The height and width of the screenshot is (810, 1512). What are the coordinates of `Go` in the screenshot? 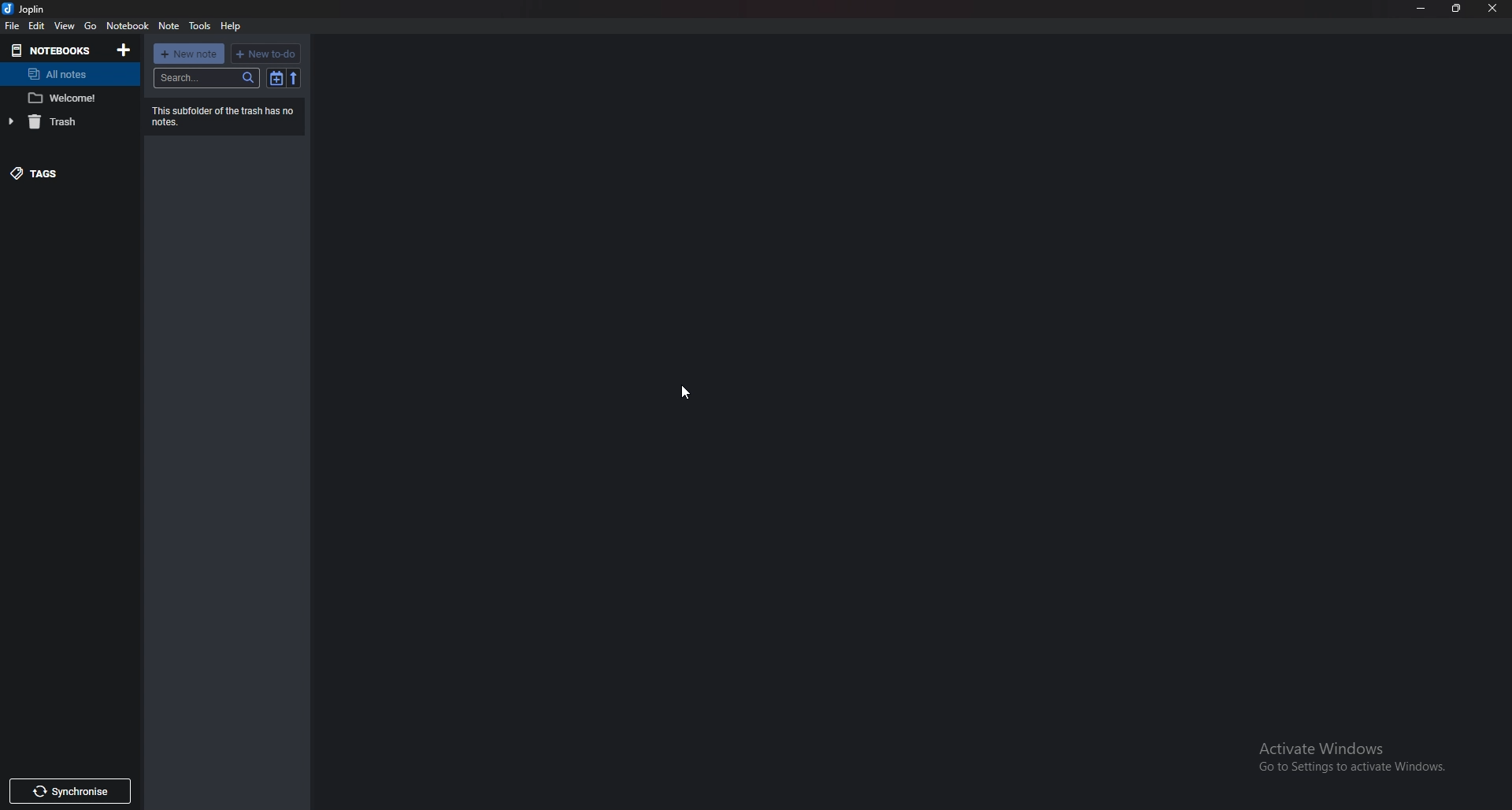 It's located at (91, 27).